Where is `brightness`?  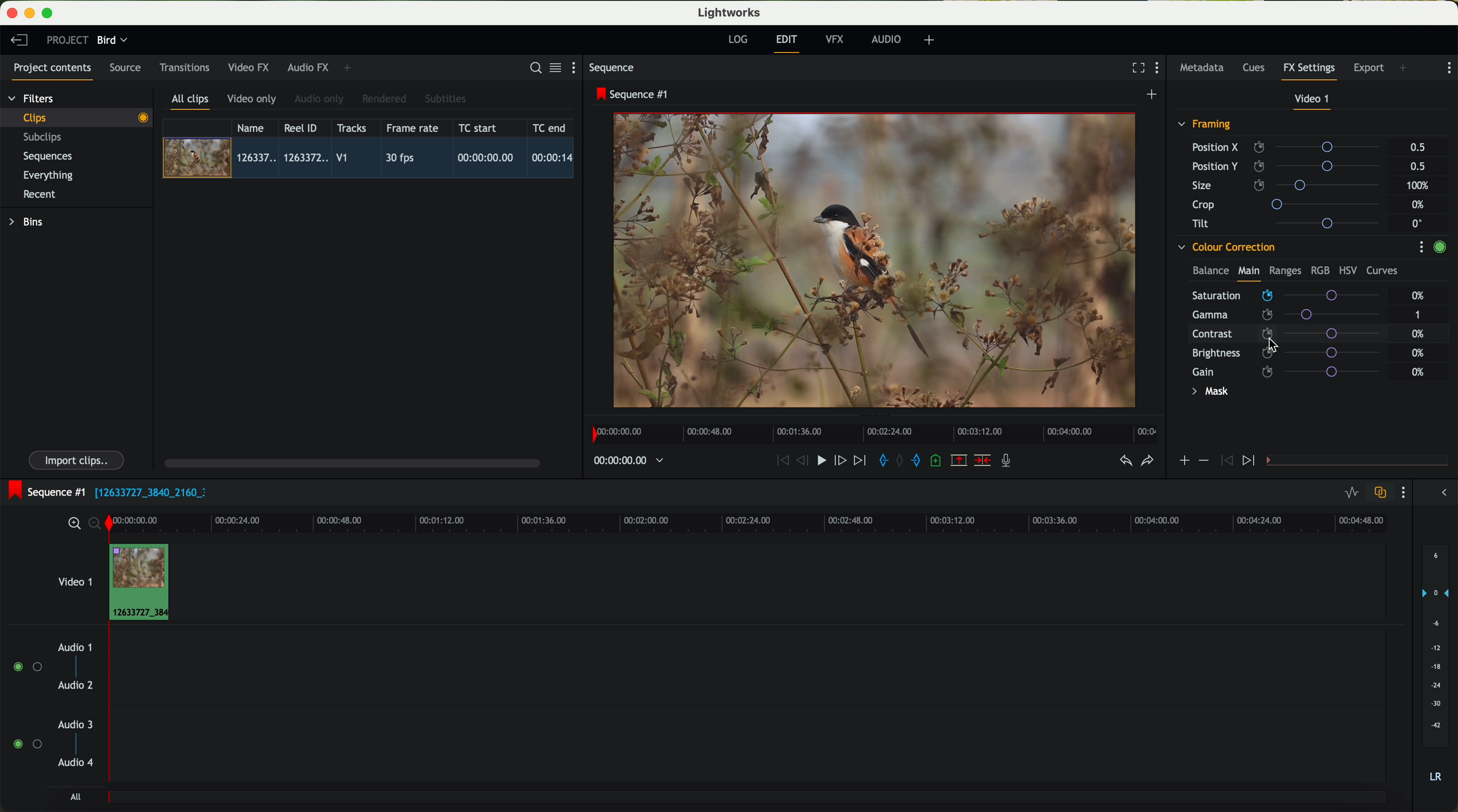
brightness is located at coordinates (1293, 353).